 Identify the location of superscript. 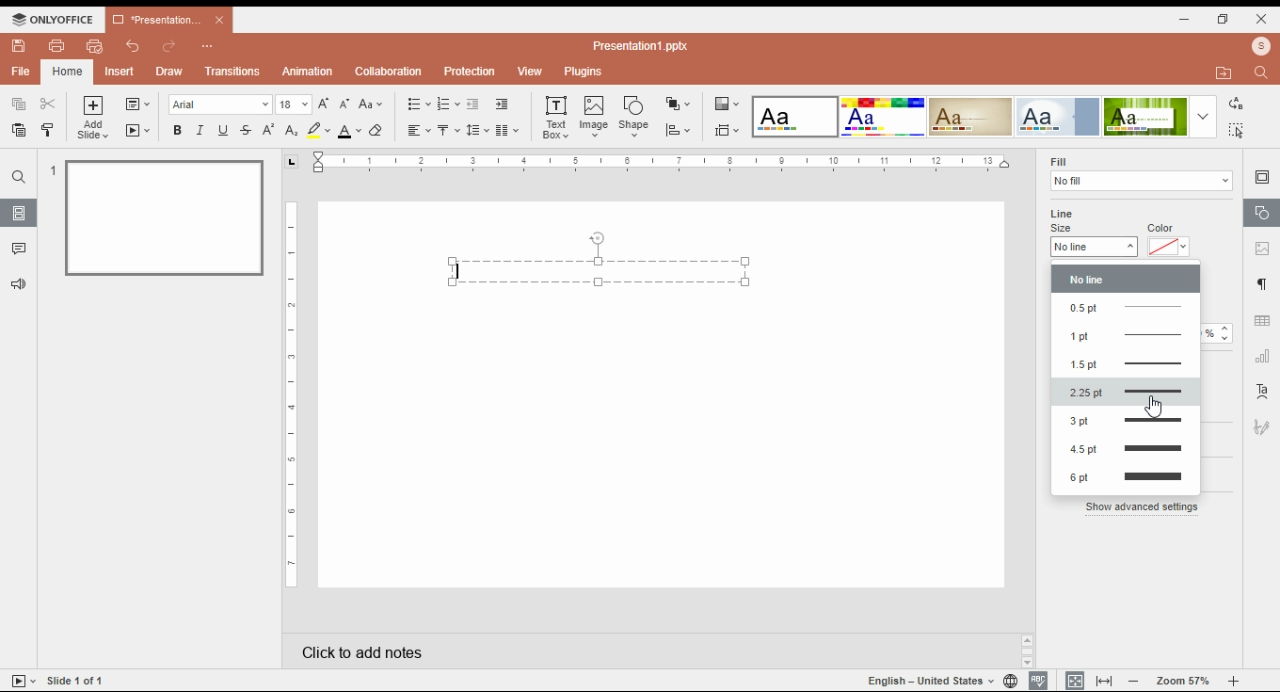
(268, 130).